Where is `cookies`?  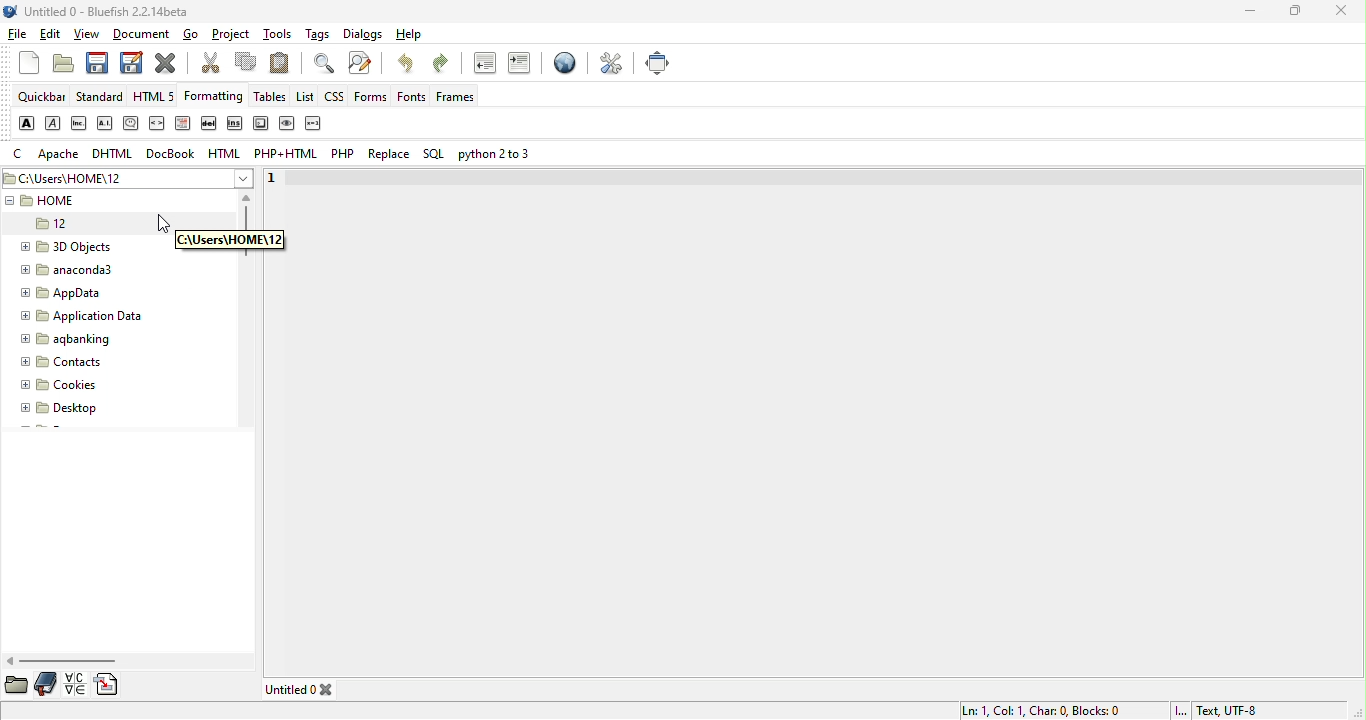
cookies is located at coordinates (67, 385).